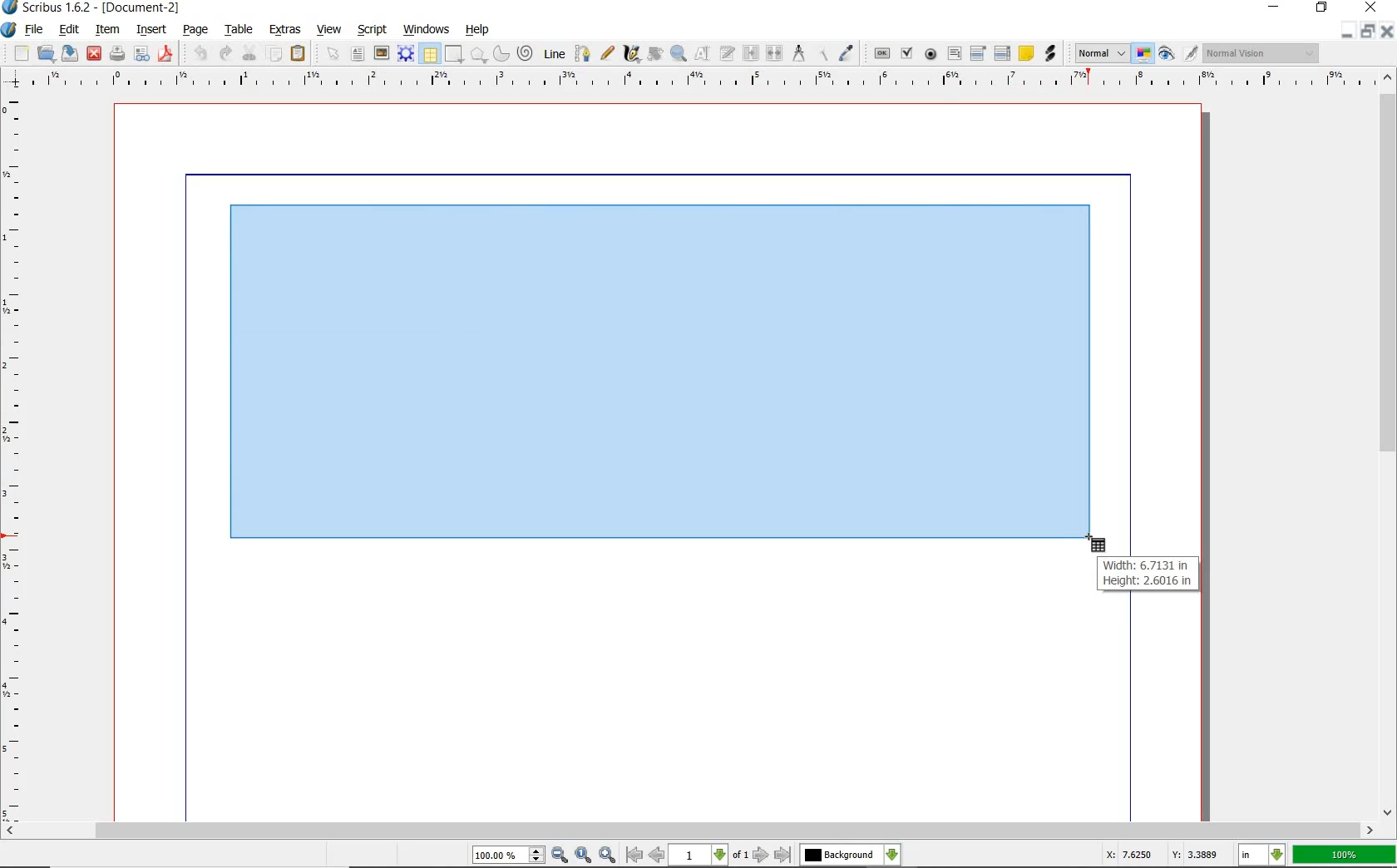 Image resolution: width=1397 pixels, height=868 pixels. What do you see at coordinates (708, 856) in the screenshot?
I see `select current page` at bounding box center [708, 856].